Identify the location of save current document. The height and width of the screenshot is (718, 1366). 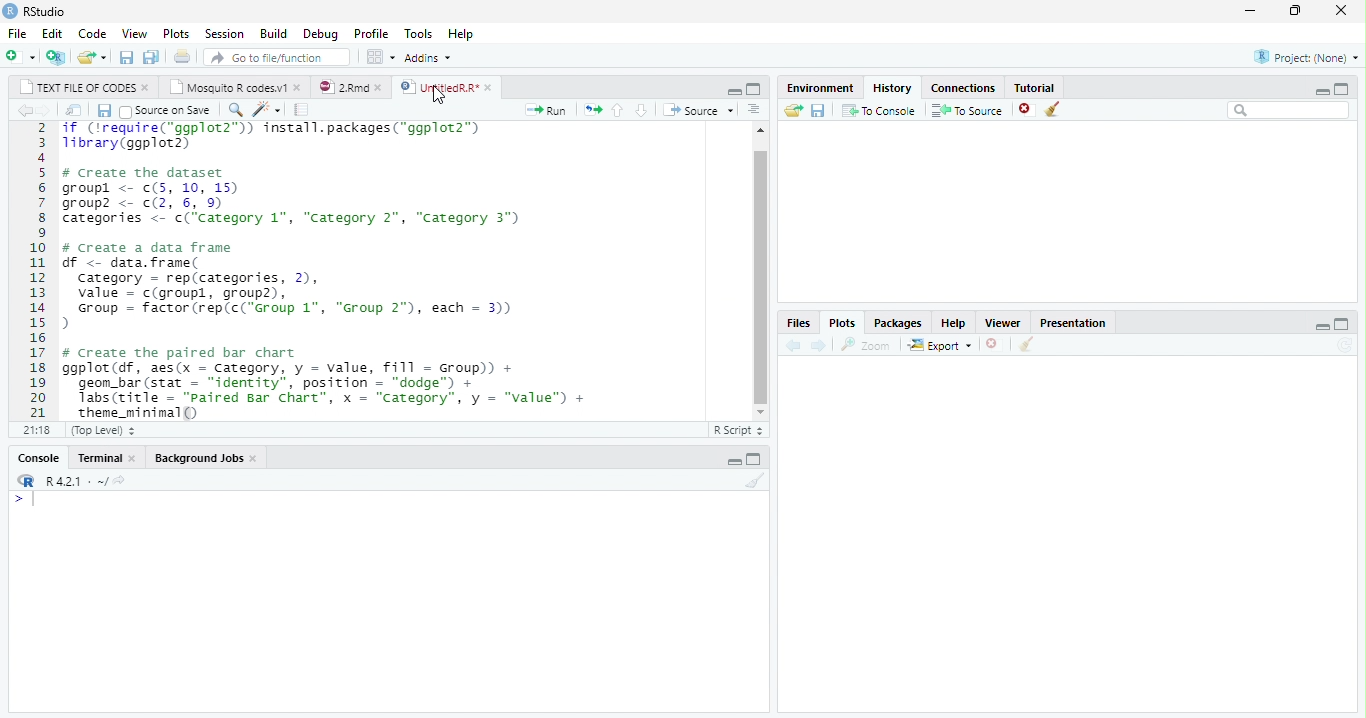
(105, 110).